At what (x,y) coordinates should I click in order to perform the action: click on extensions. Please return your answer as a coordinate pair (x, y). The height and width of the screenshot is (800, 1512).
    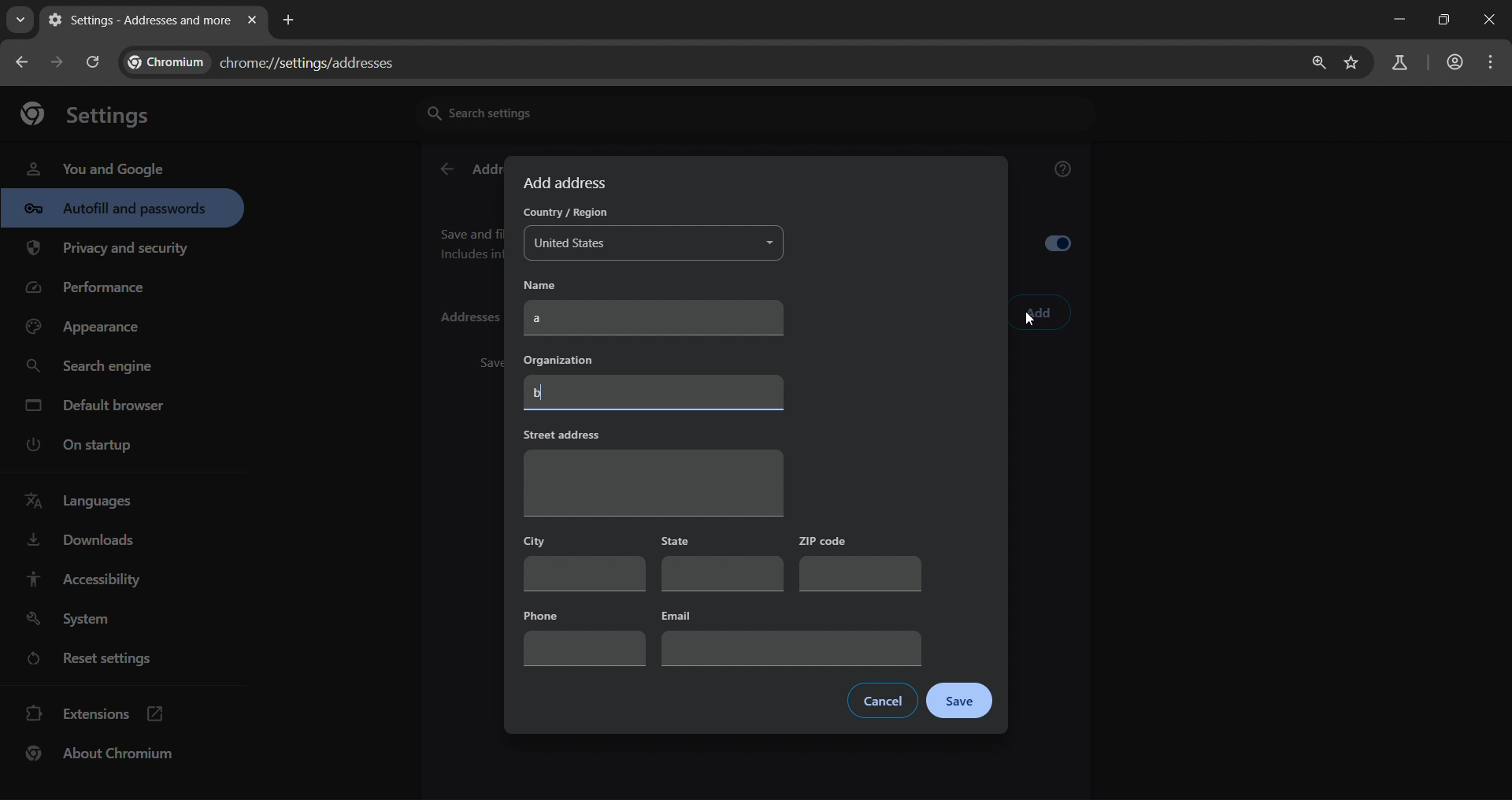
    Looking at the image, I should click on (95, 712).